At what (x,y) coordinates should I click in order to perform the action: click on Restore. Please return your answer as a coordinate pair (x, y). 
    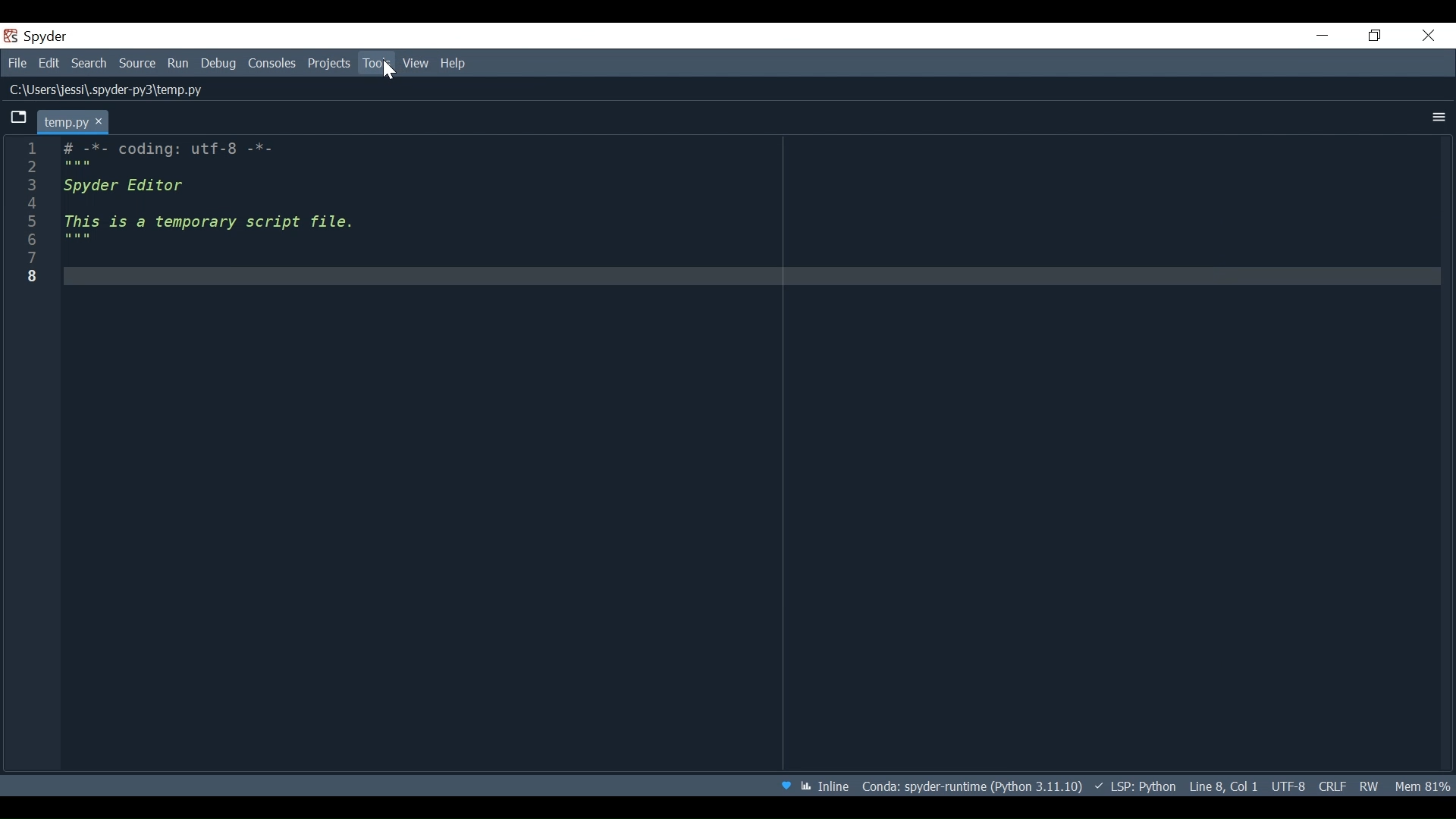
    Looking at the image, I should click on (1376, 36).